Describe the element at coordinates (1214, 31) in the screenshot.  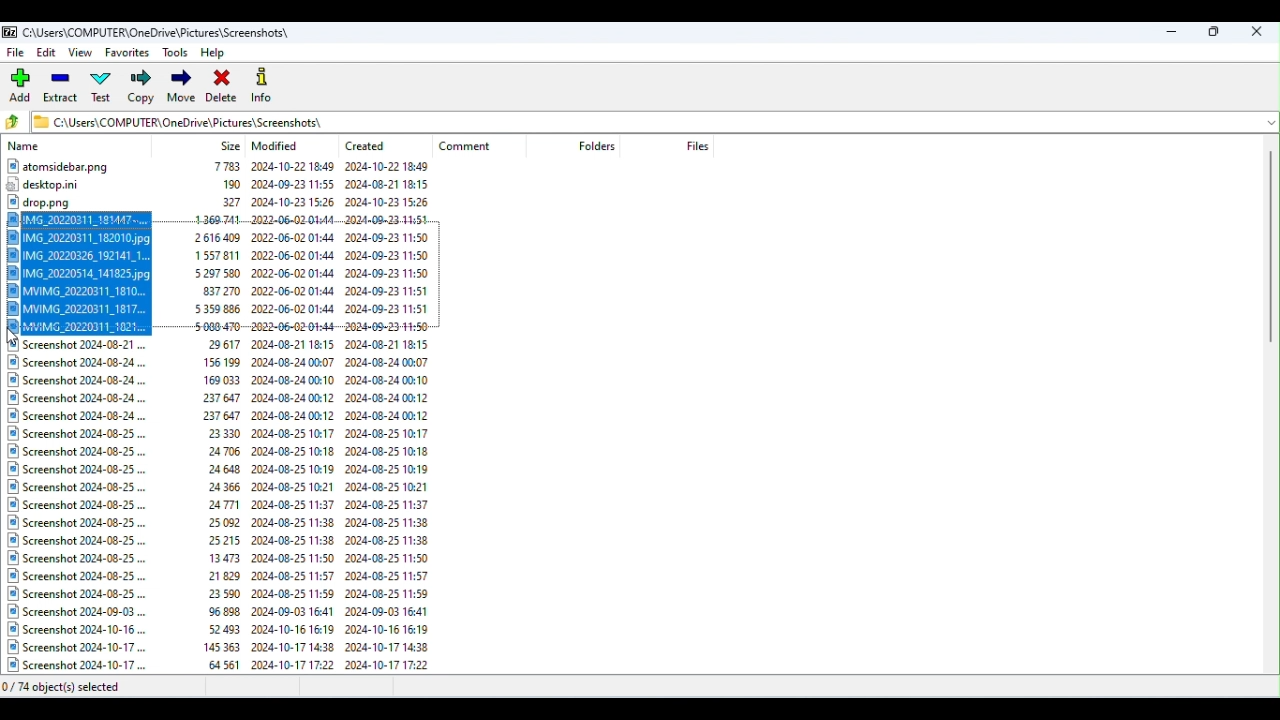
I see `Maximize` at that location.